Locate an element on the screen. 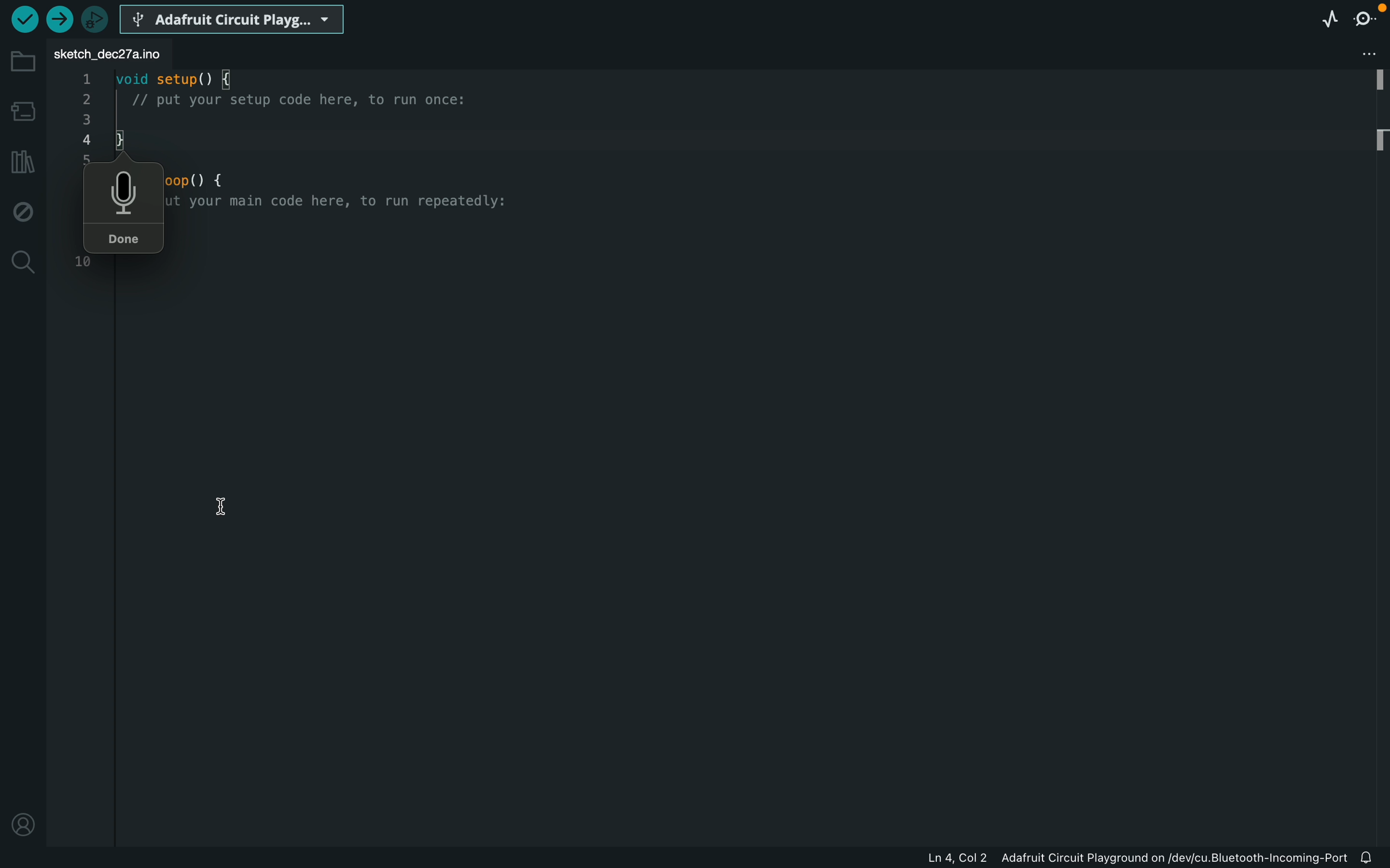 The height and width of the screenshot is (868, 1390). Ln 4, Col 2 is located at coordinates (958, 858).